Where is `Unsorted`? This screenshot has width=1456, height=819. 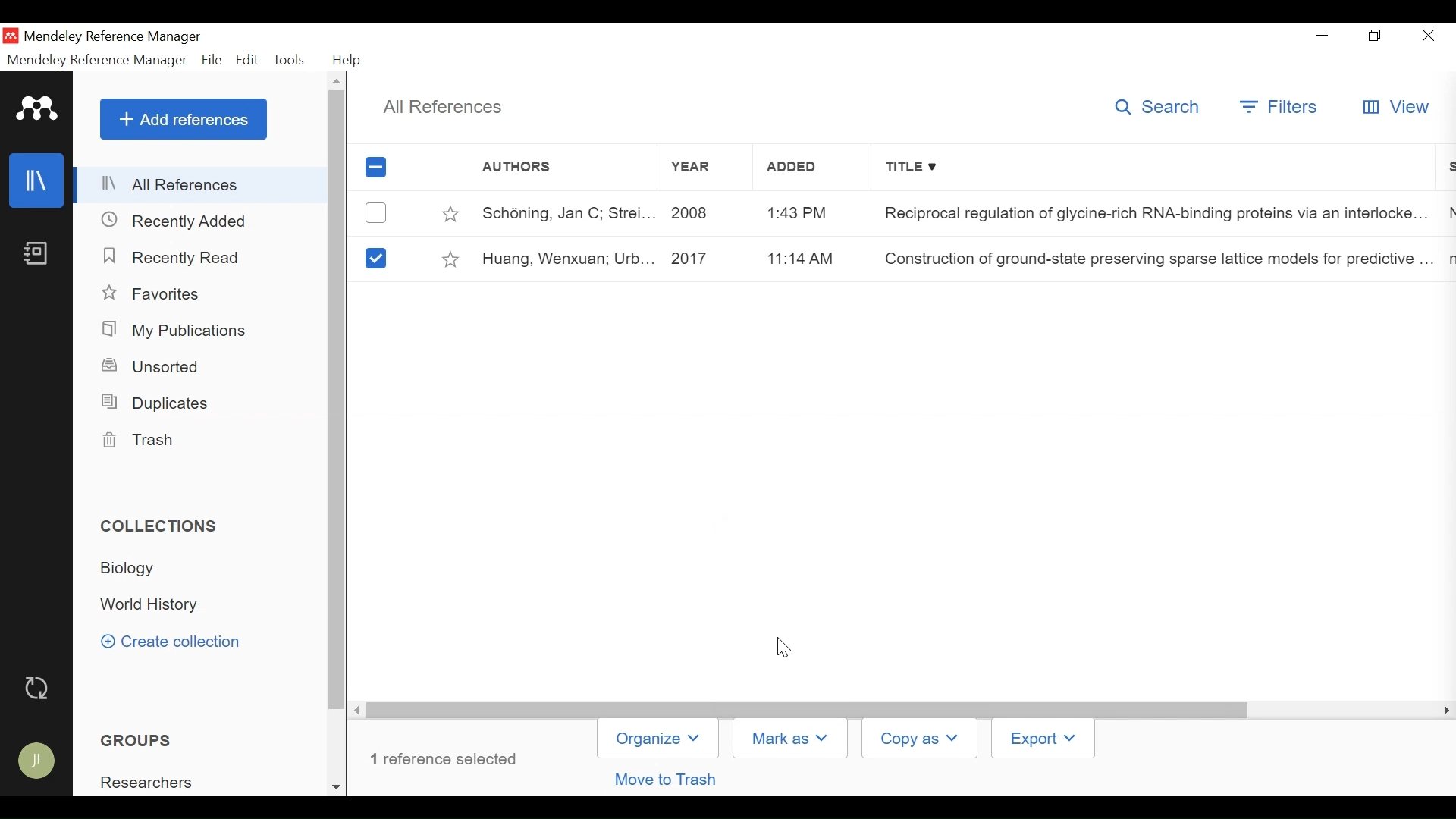
Unsorted is located at coordinates (157, 367).